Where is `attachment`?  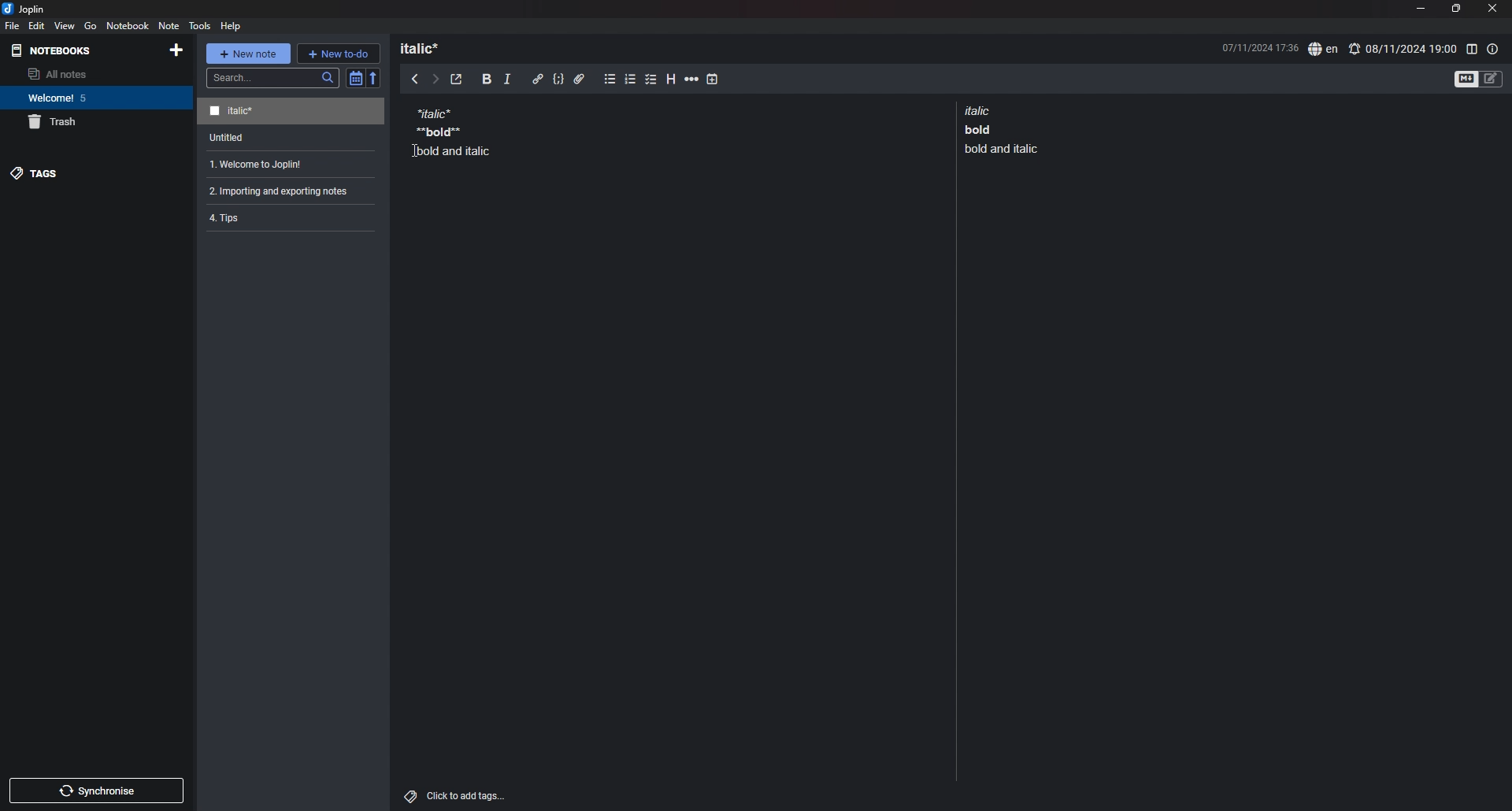
attachment is located at coordinates (580, 80).